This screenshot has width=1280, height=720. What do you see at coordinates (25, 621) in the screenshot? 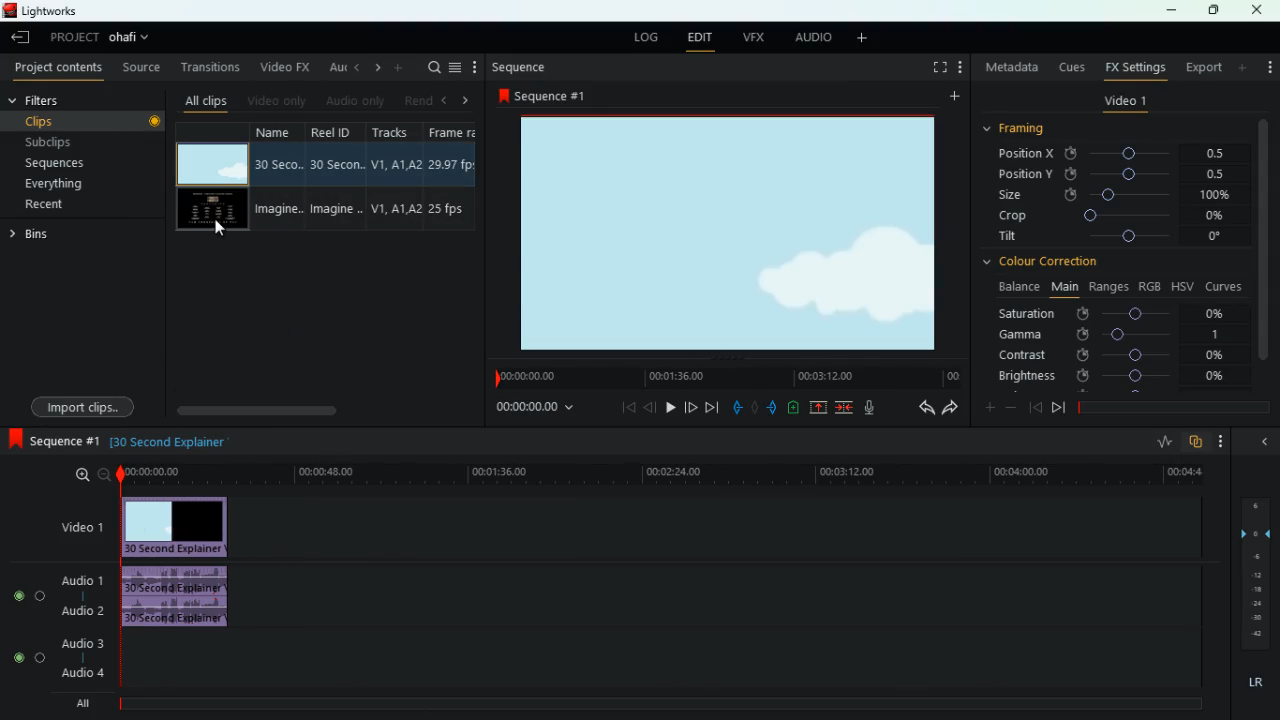
I see `radio button` at bounding box center [25, 621].